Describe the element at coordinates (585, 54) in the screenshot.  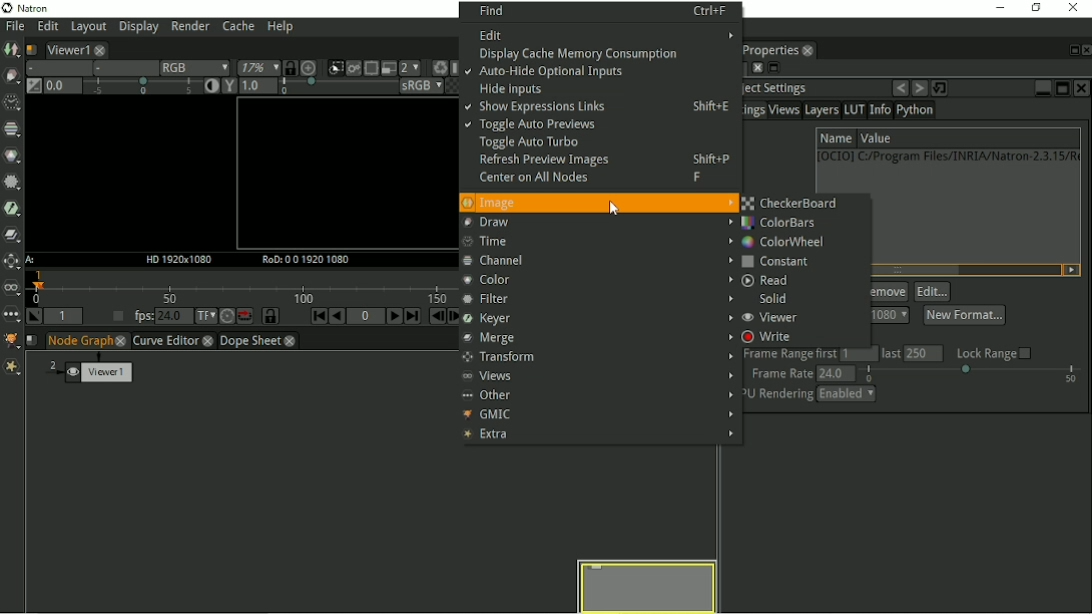
I see `Display cahe memory consumption` at that location.